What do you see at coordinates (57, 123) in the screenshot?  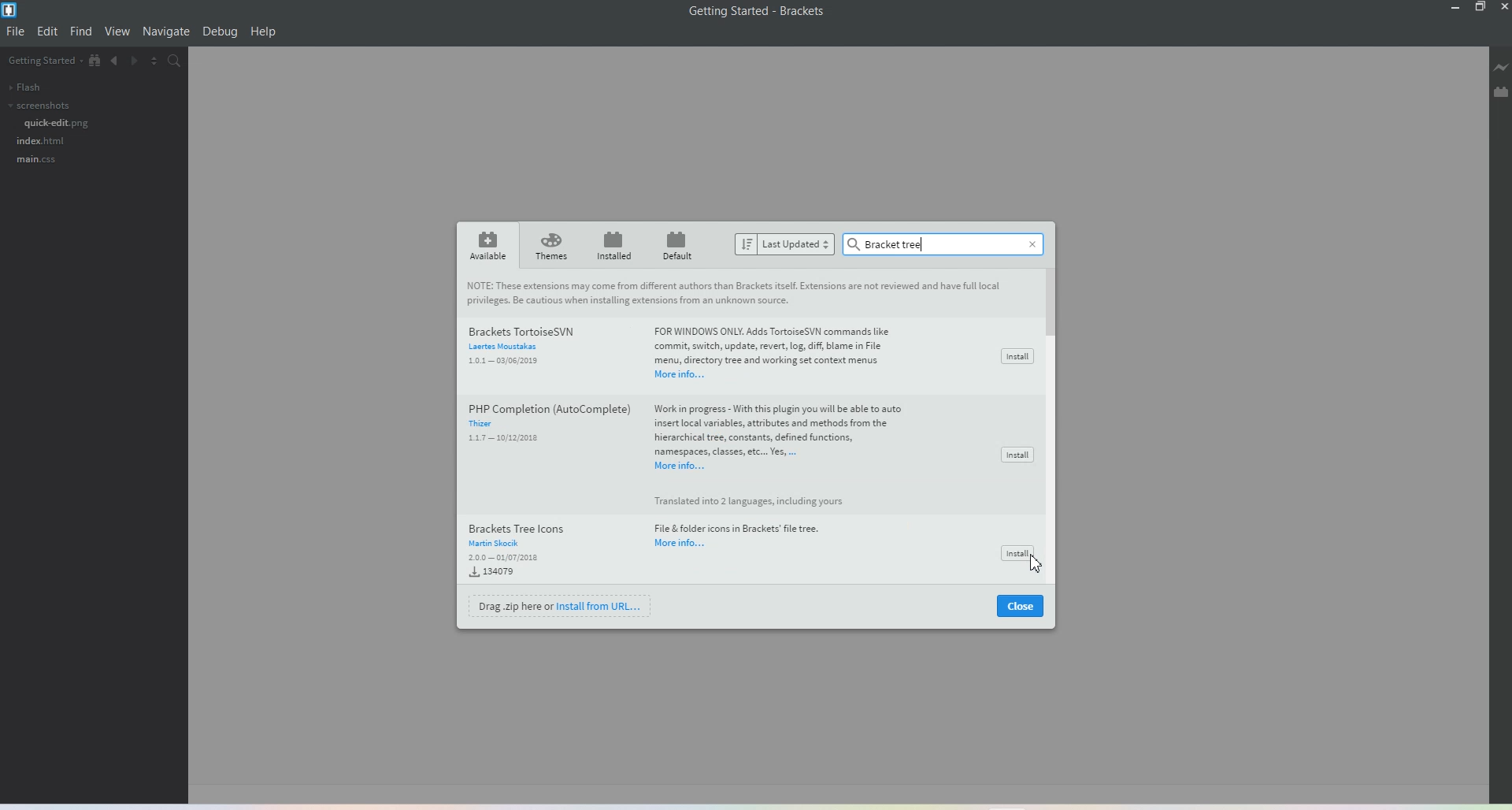 I see `quick-edit.png` at bounding box center [57, 123].